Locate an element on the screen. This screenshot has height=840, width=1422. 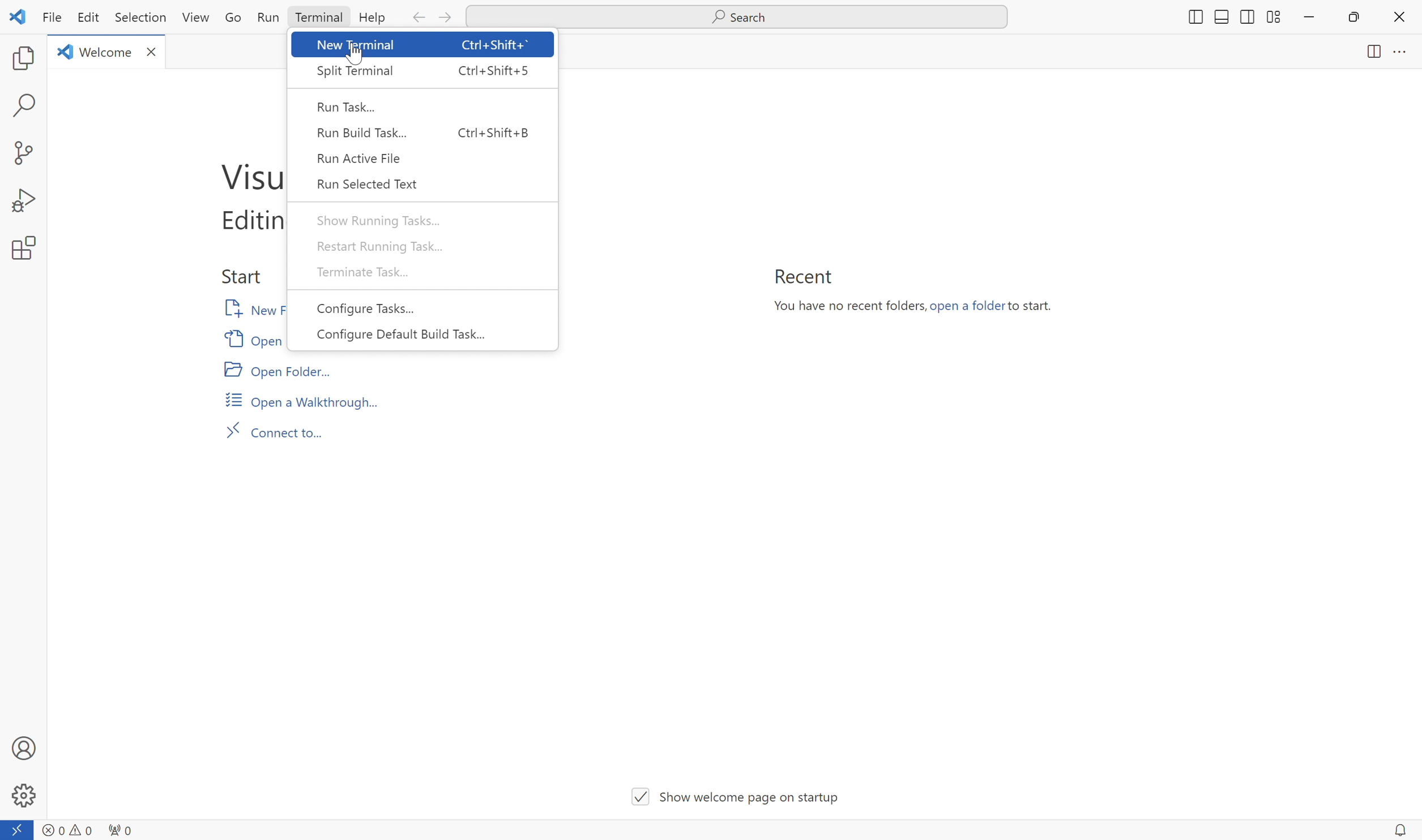
Vv Show welcome page on startup is located at coordinates (740, 792).